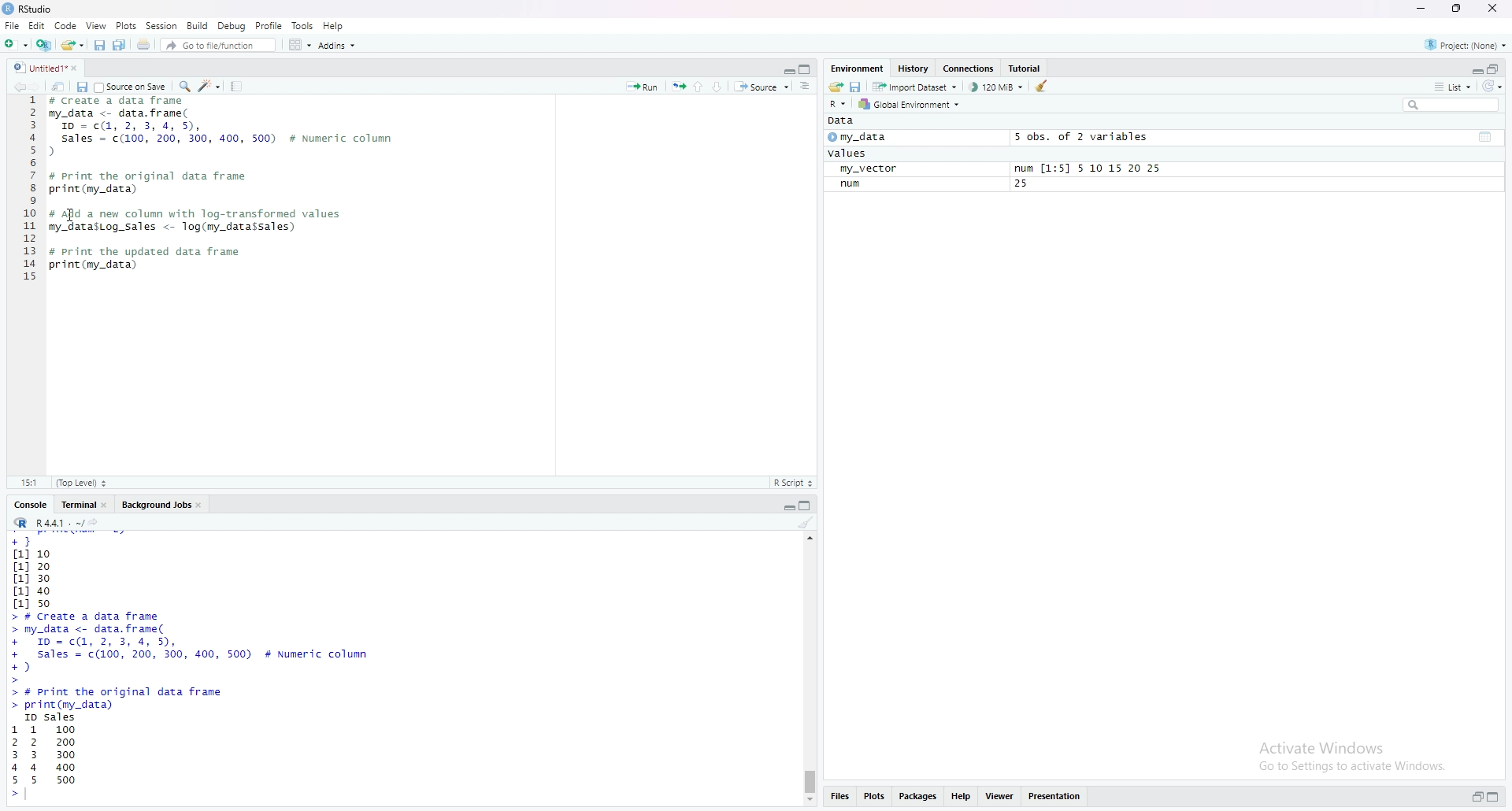 Image resolution: width=1512 pixels, height=811 pixels. Describe the element at coordinates (857, 66) in the screenshot. I see `environment` at that location.